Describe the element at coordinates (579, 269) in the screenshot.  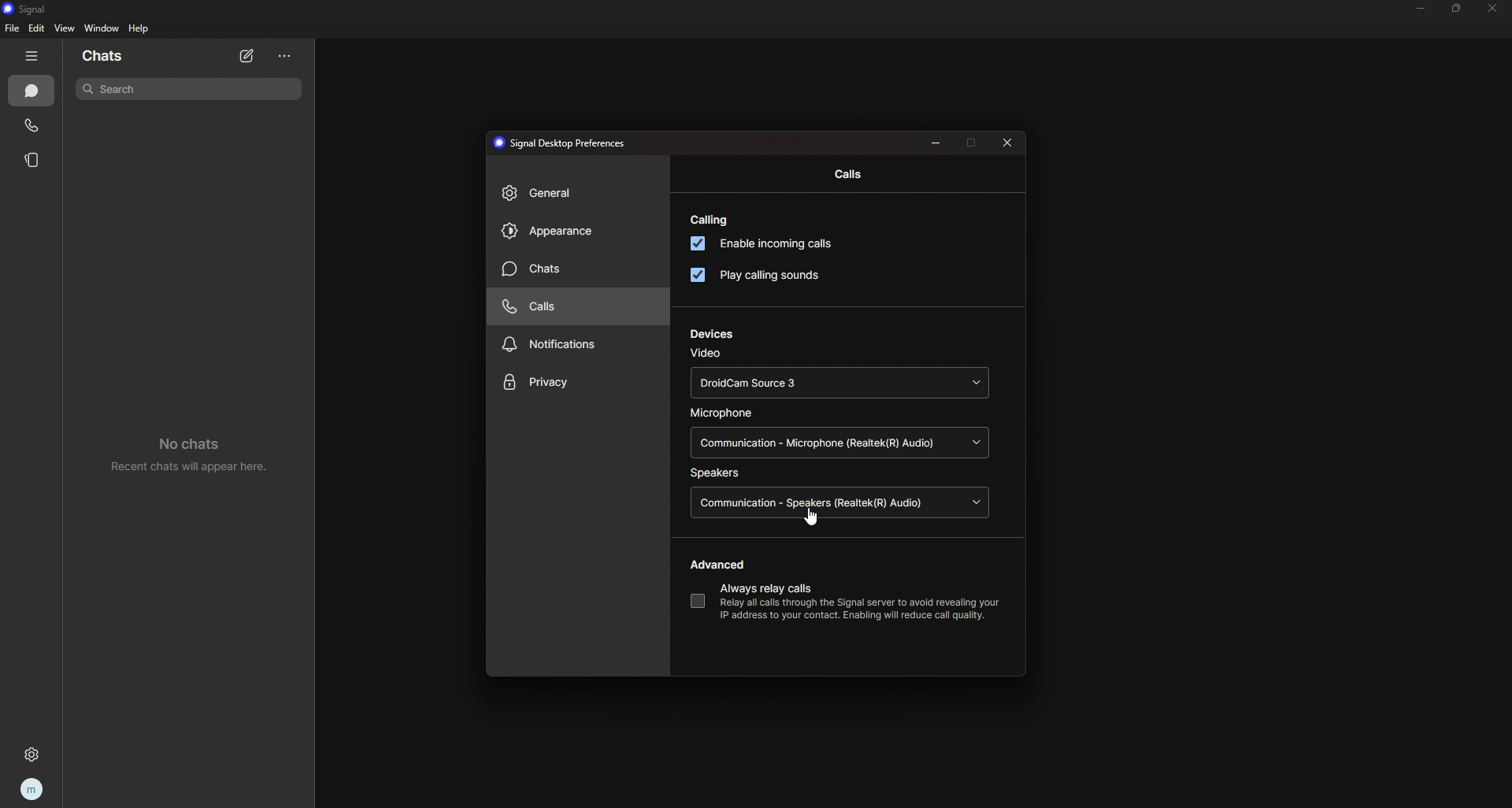
I see `chats` at that location.